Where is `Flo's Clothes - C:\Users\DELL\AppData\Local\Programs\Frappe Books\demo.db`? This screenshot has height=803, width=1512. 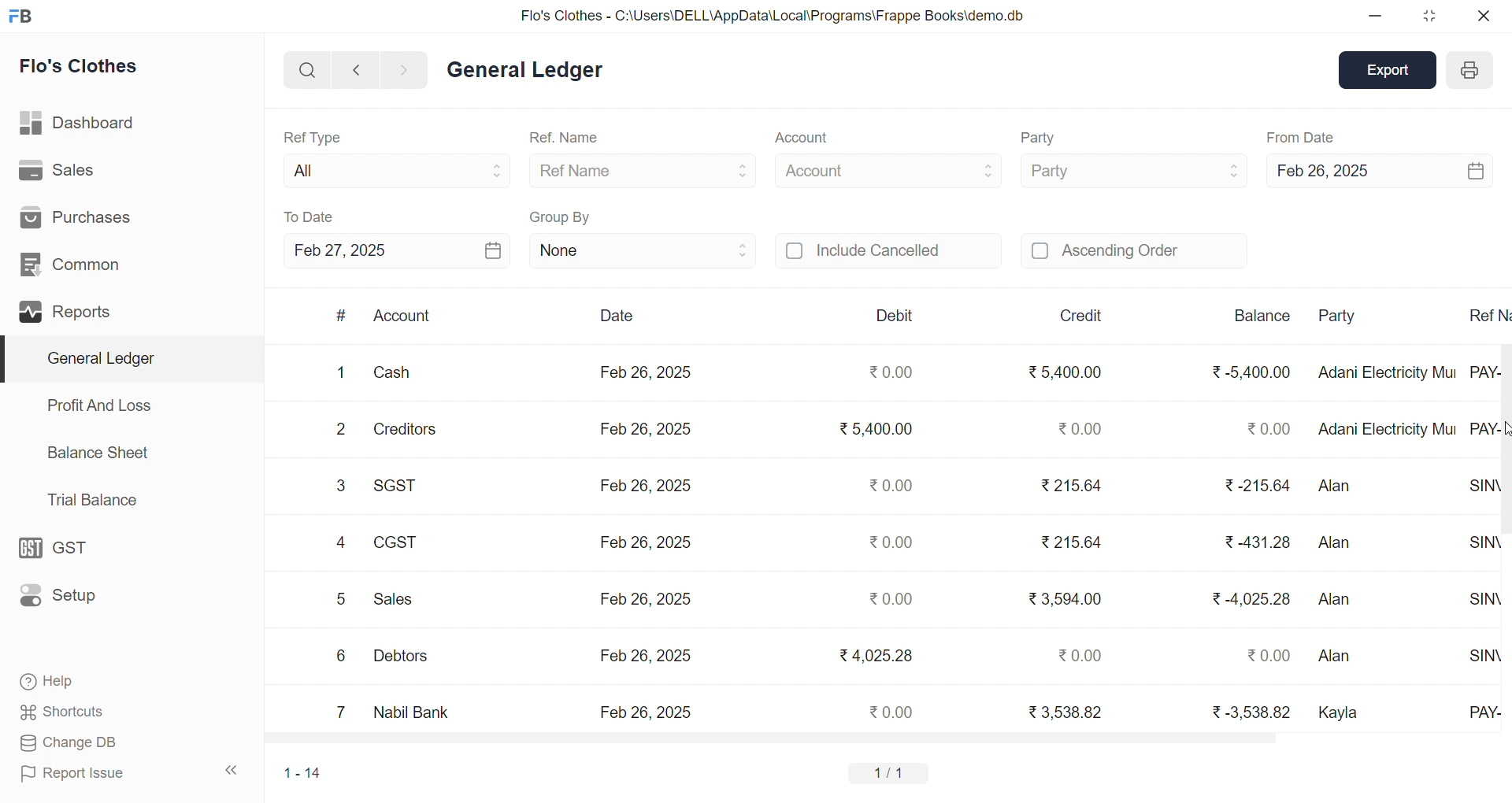 Flo's Clothes - C:\Users\DELL\AppData\Local\Programs\Frappe Books\demo.db is located at coordinates (771, 14).